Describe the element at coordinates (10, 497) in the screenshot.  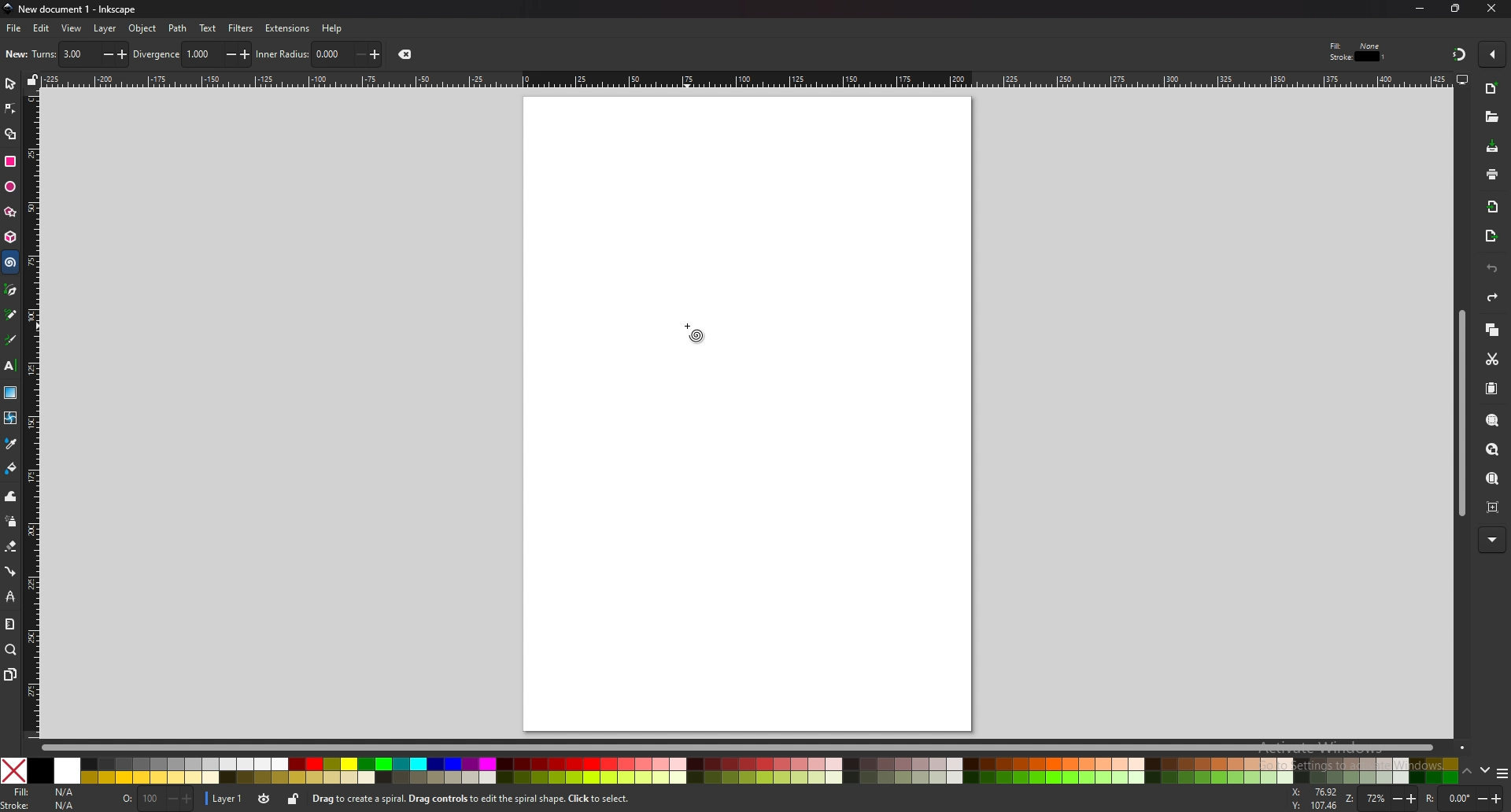
I see `tweak` at that location.